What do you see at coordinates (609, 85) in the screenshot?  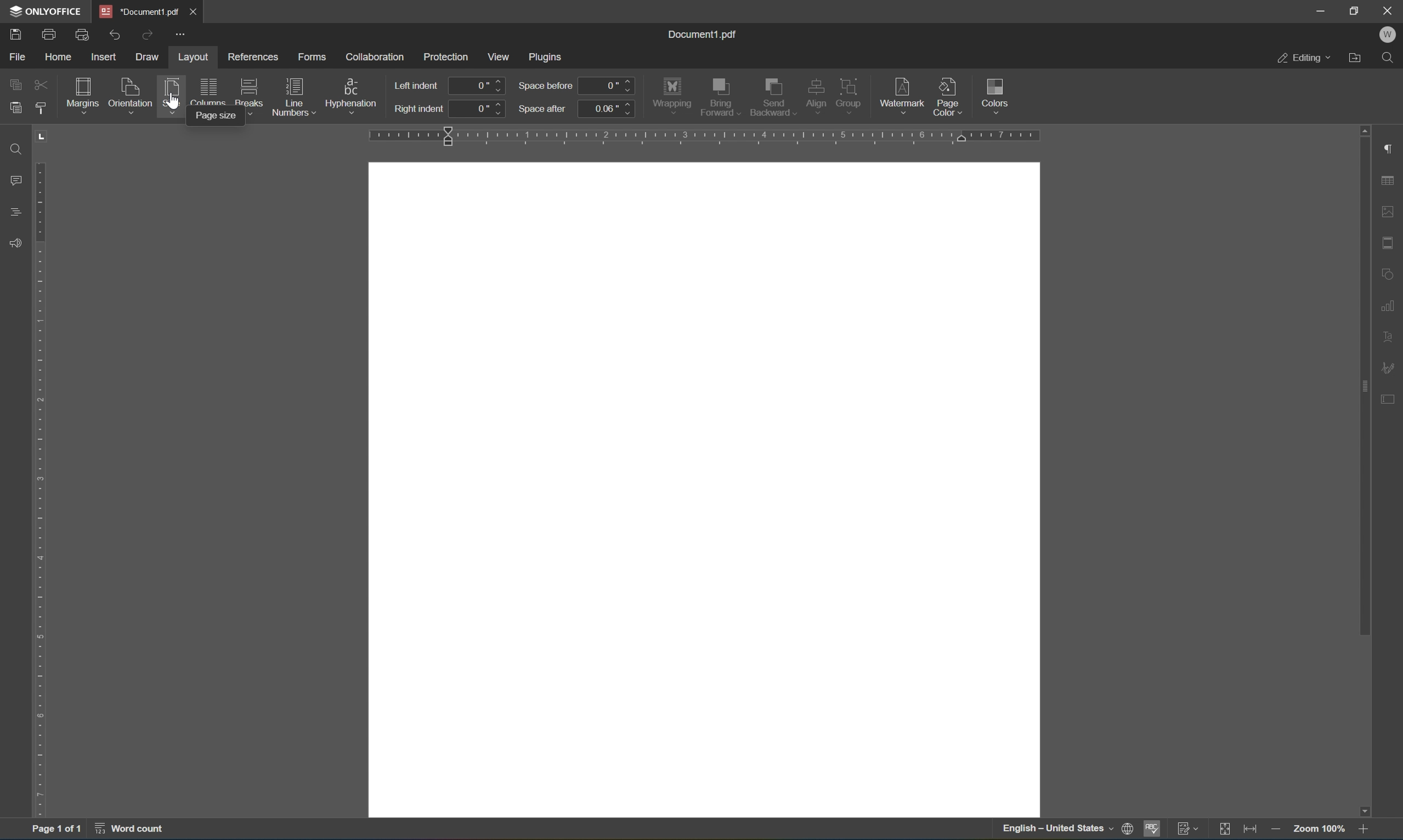 I see `0` at bounding box center [609, 85].